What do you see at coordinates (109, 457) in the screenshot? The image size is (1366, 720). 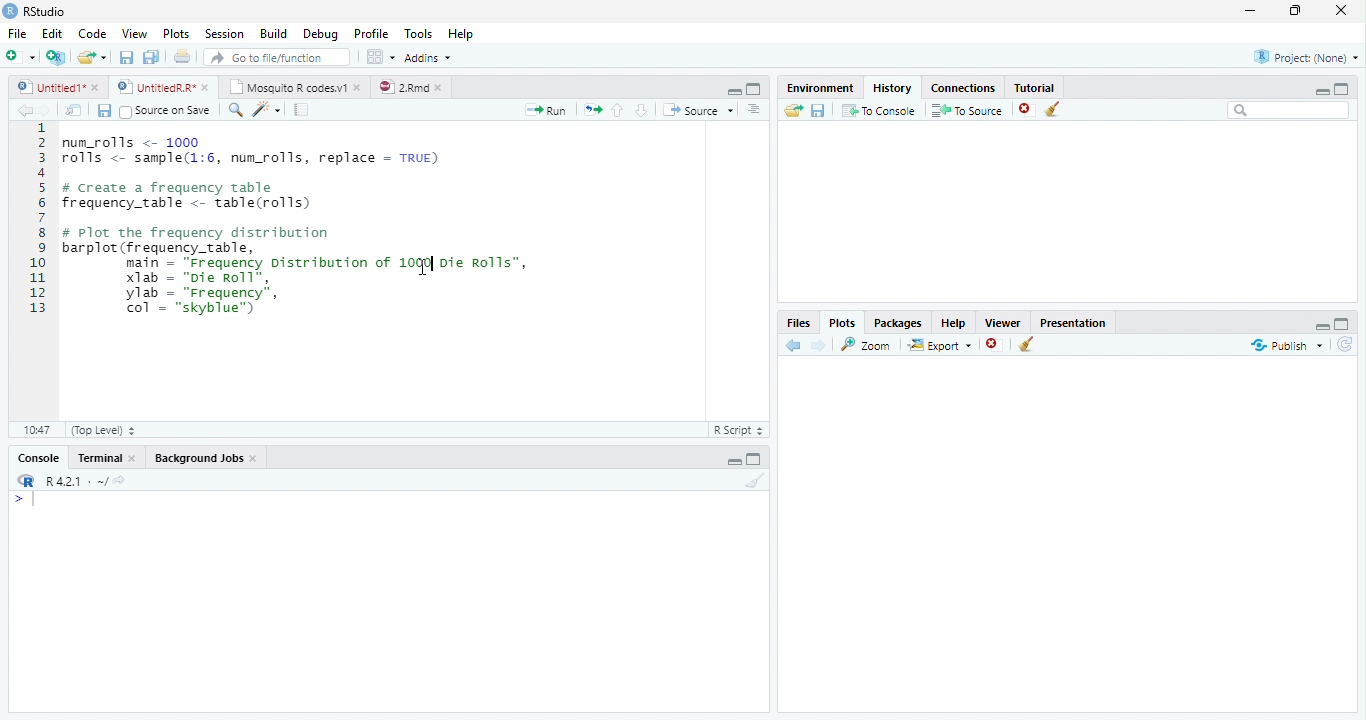 I see `Terminal` at bounding box center [109, 457].